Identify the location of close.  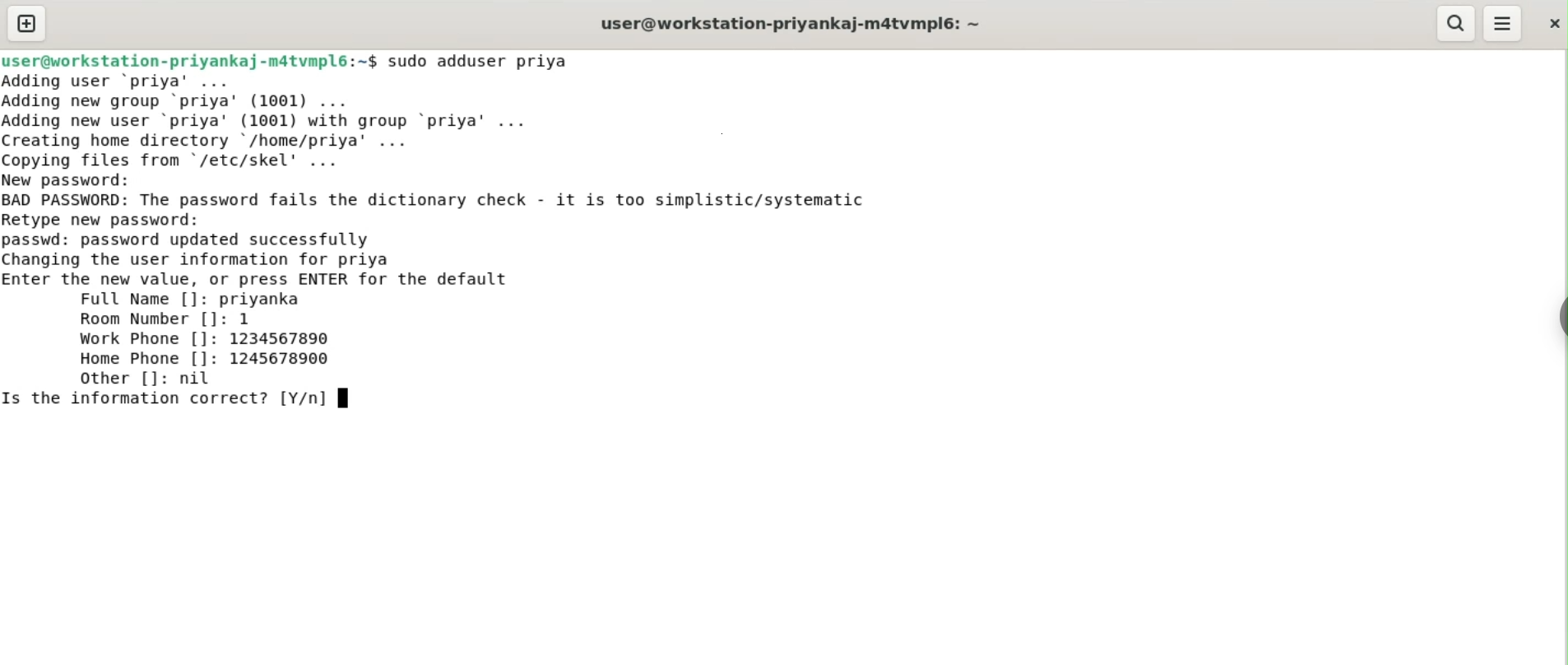
(1552, 19).